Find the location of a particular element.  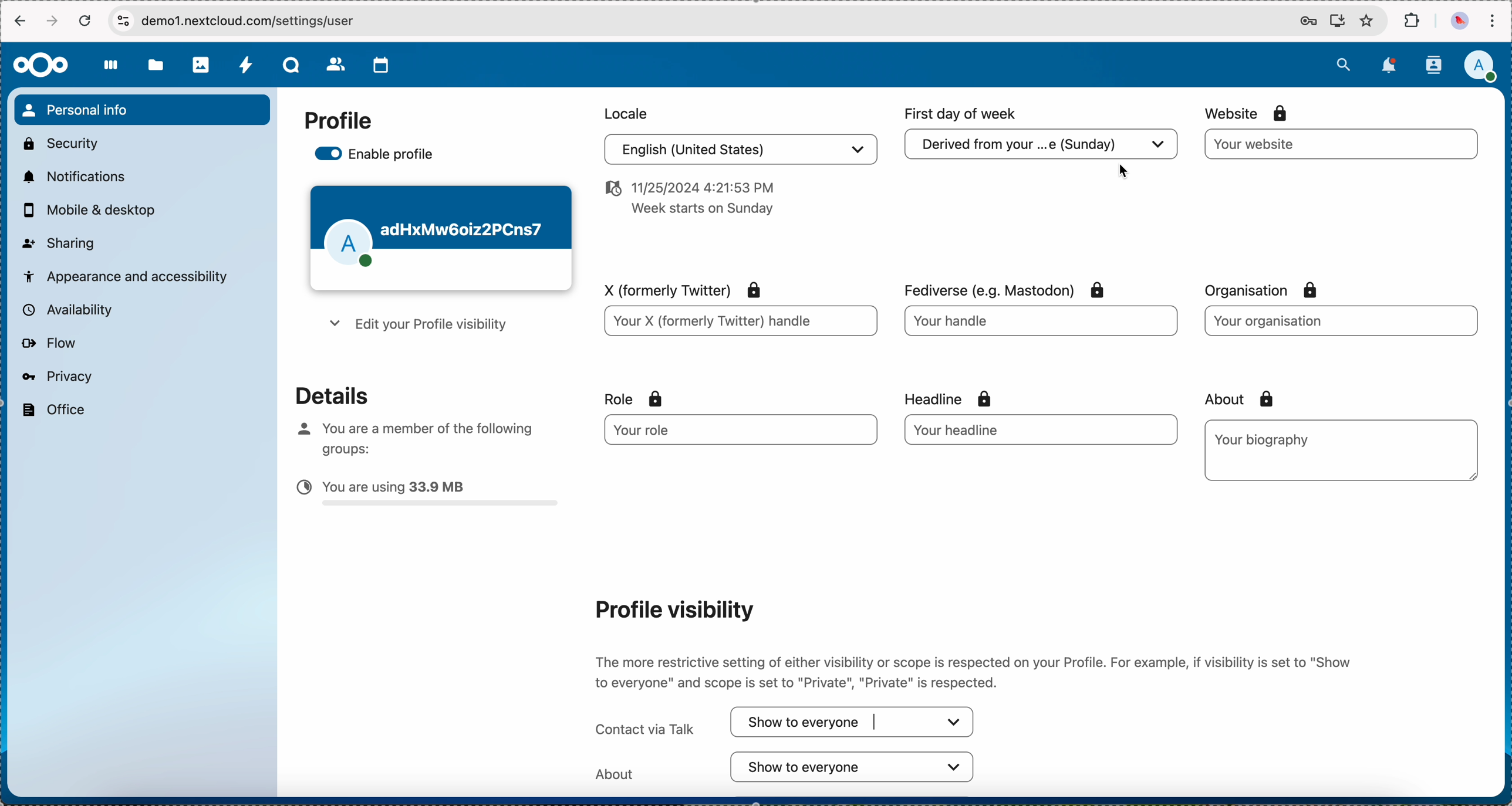

your handle is located at coordinates (1044, 325).